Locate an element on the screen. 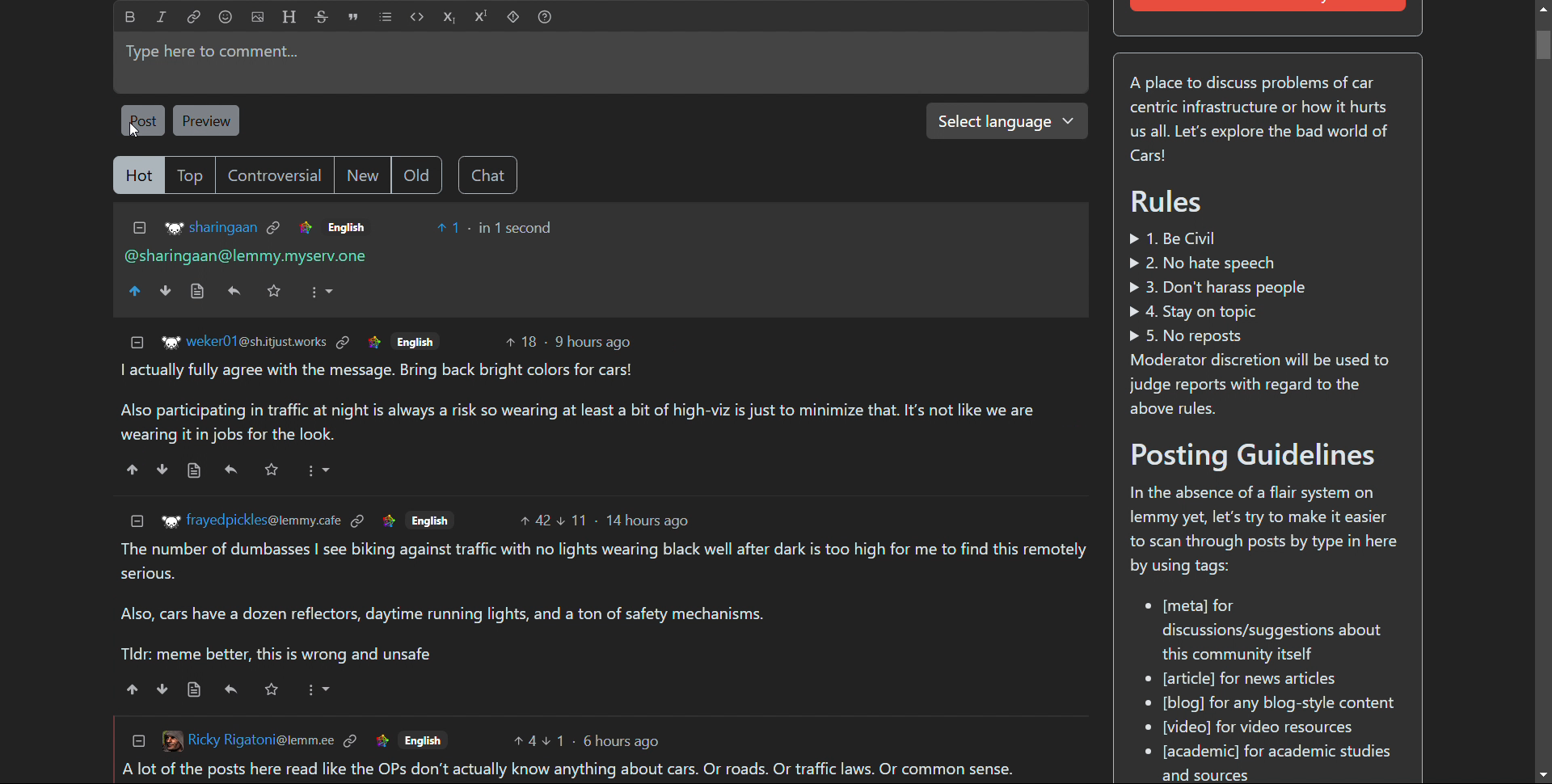  9 hours ago is located at coordinates (593, 341).